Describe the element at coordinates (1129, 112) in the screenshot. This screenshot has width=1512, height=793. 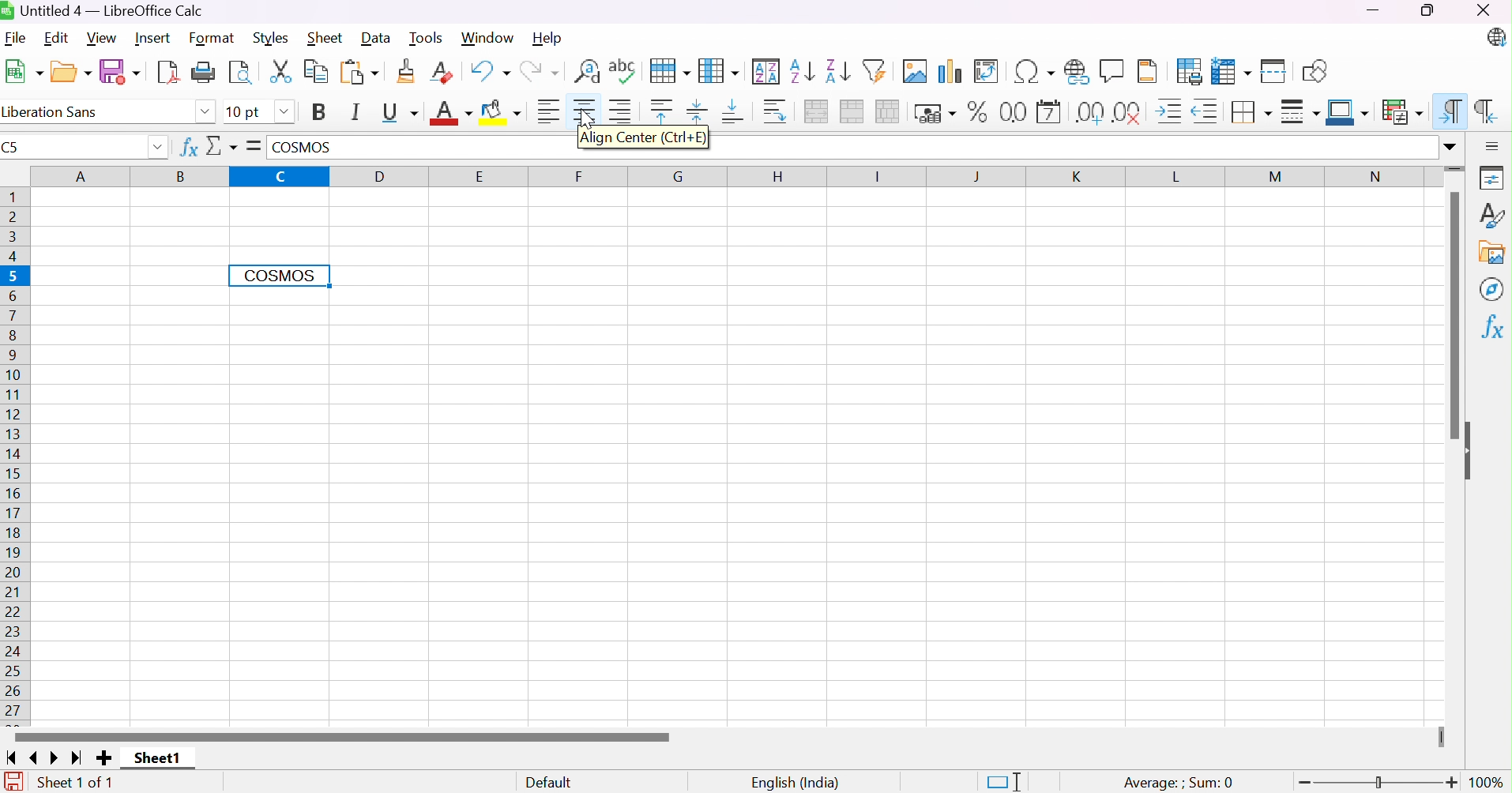
I see `Delete Decimal Place` at that location.